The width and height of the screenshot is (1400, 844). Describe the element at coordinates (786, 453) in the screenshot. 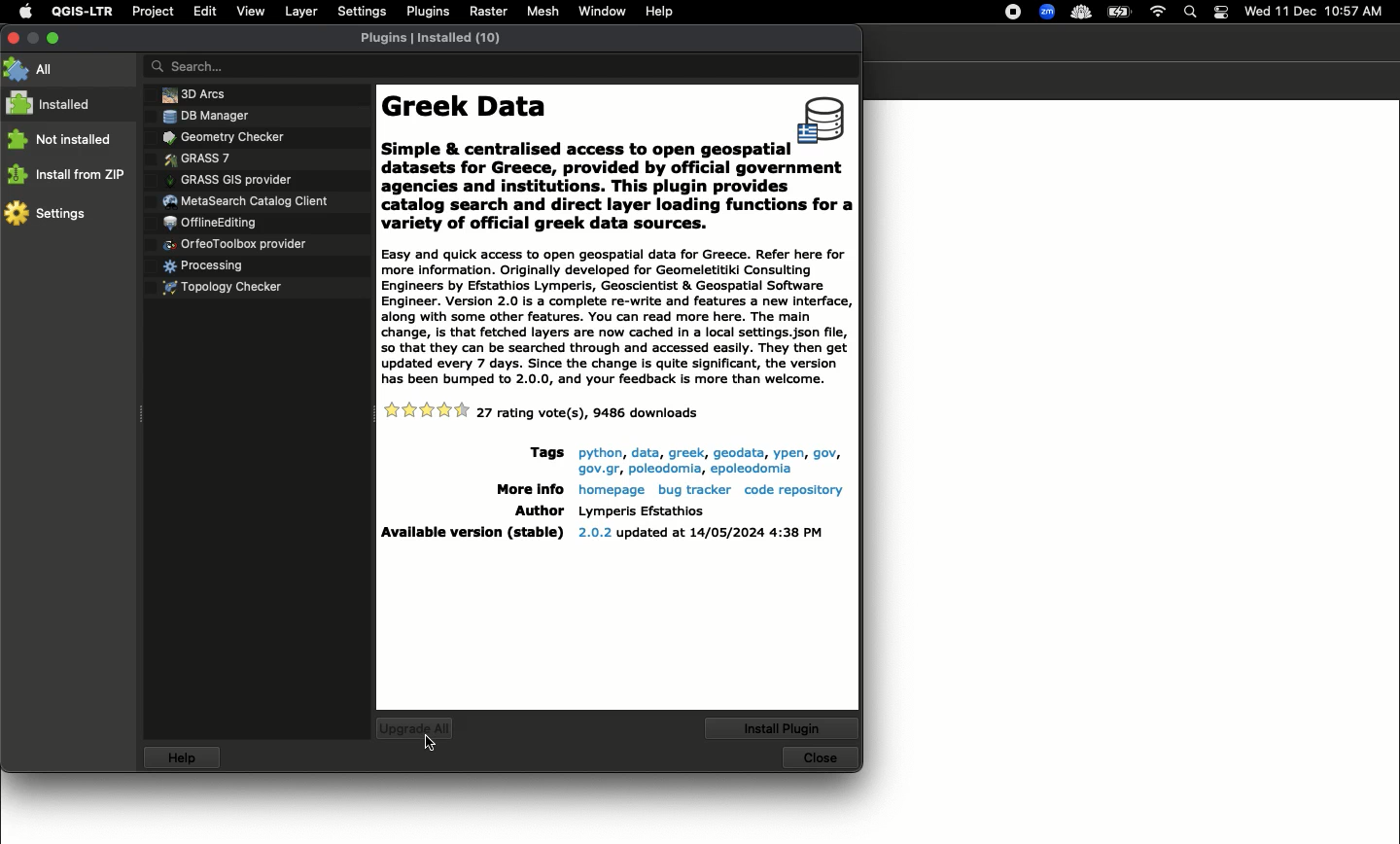

I see `yper` at that location.